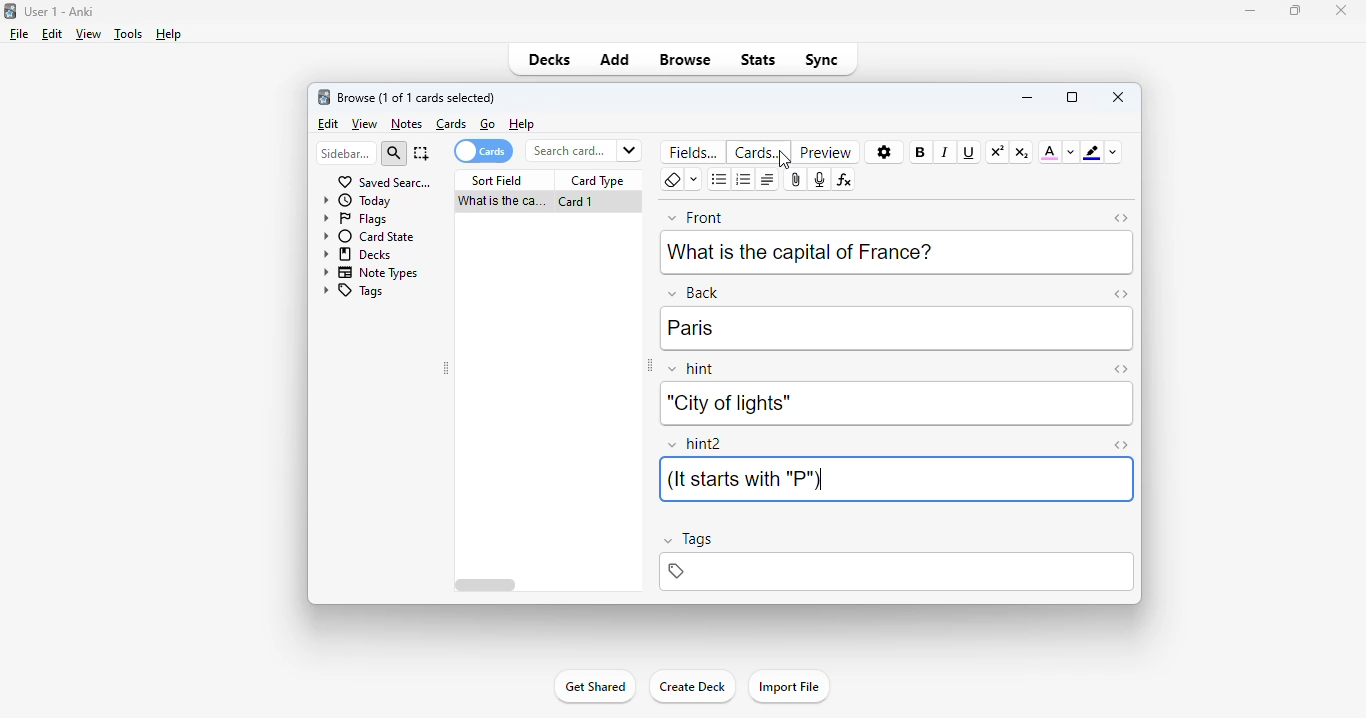  I want to click on what is the capital of France?, so click(800, 250).